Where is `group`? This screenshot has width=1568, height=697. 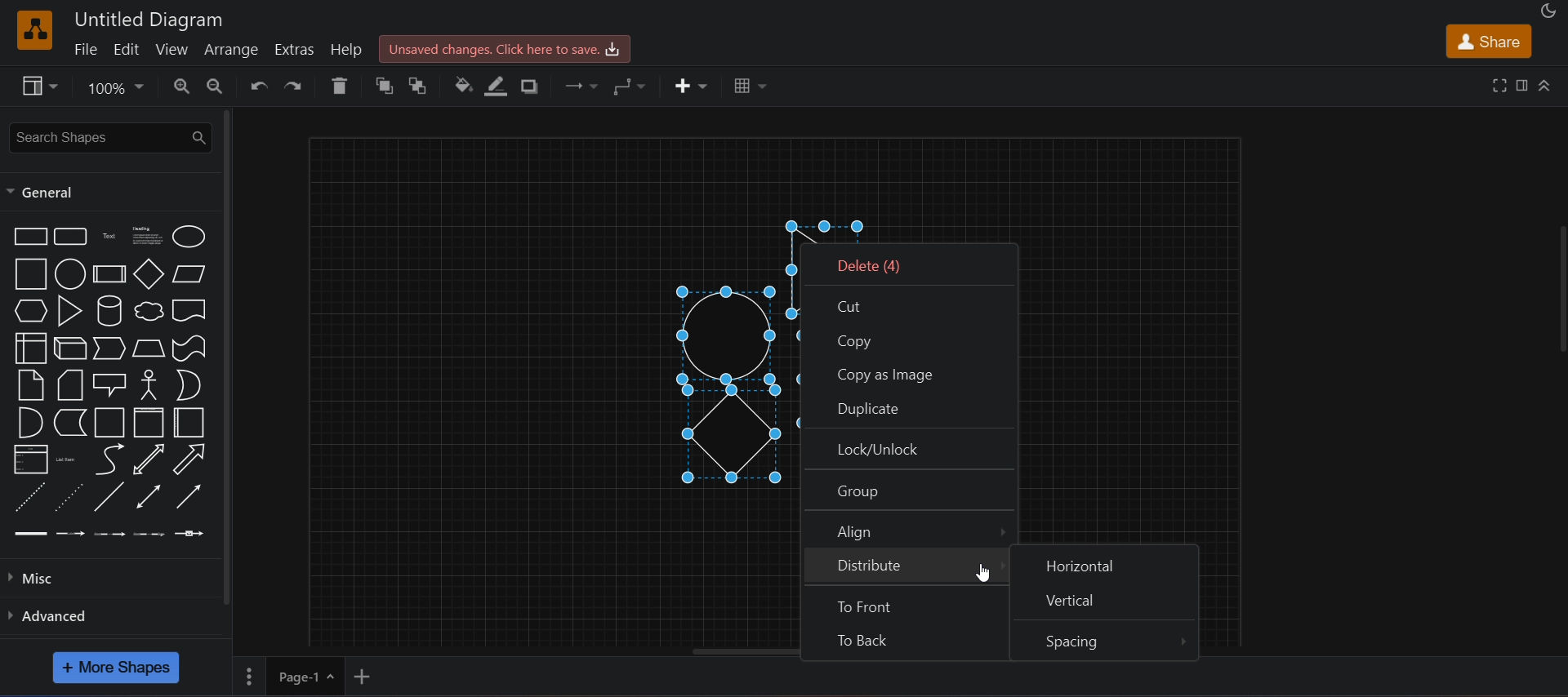 group is located at coordinates (909, 491).